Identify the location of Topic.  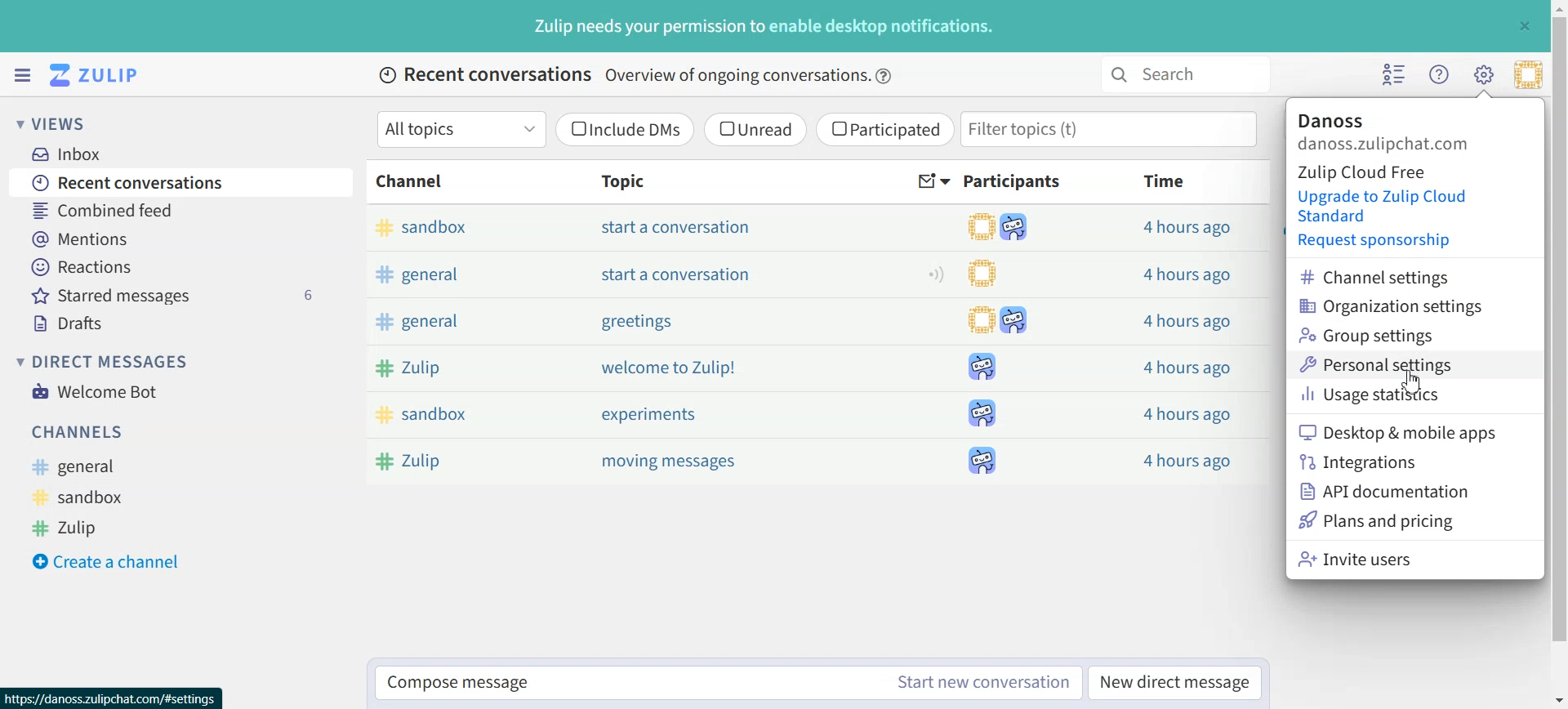
(618, 181).